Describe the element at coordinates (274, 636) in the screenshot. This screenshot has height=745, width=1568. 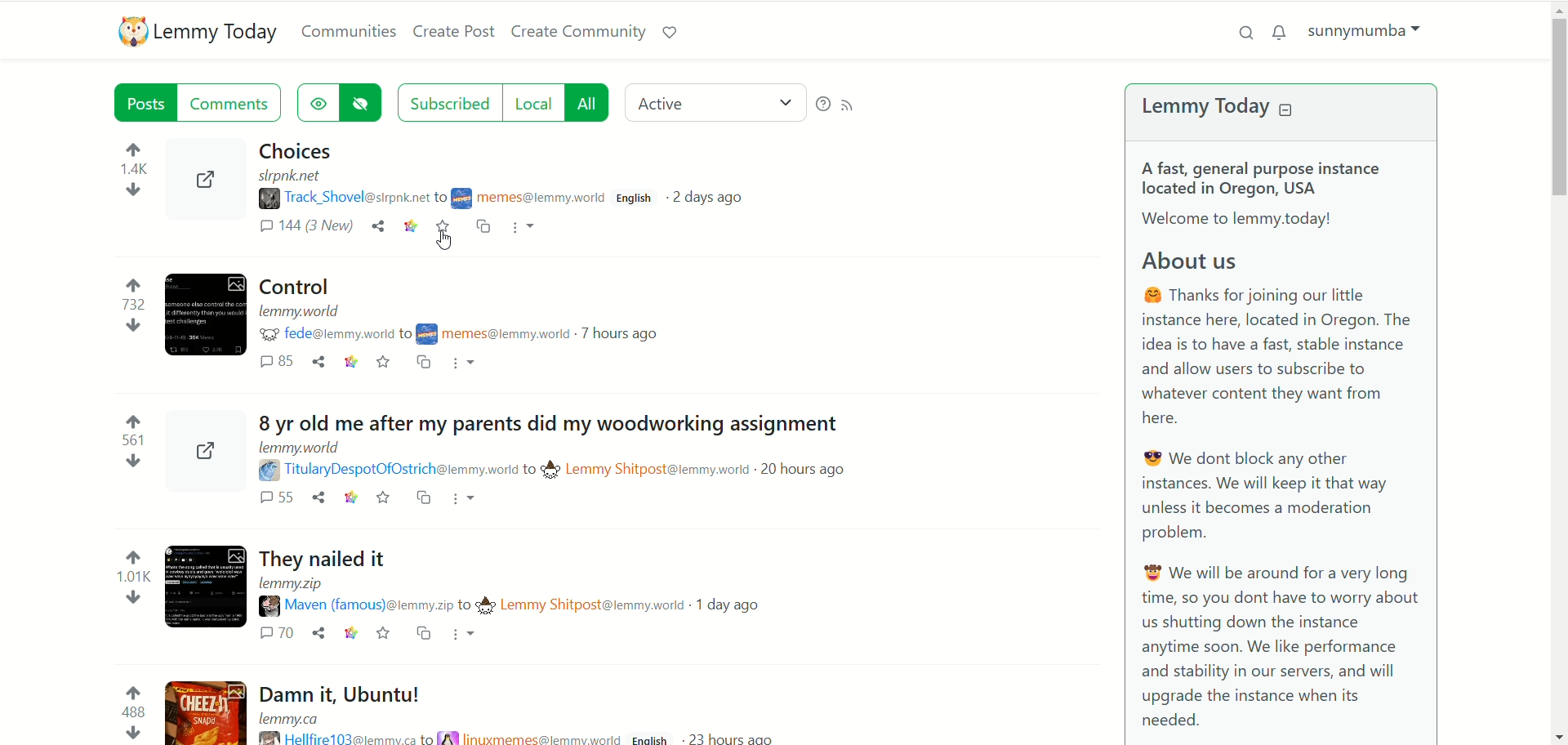
I see `comments` at that location.